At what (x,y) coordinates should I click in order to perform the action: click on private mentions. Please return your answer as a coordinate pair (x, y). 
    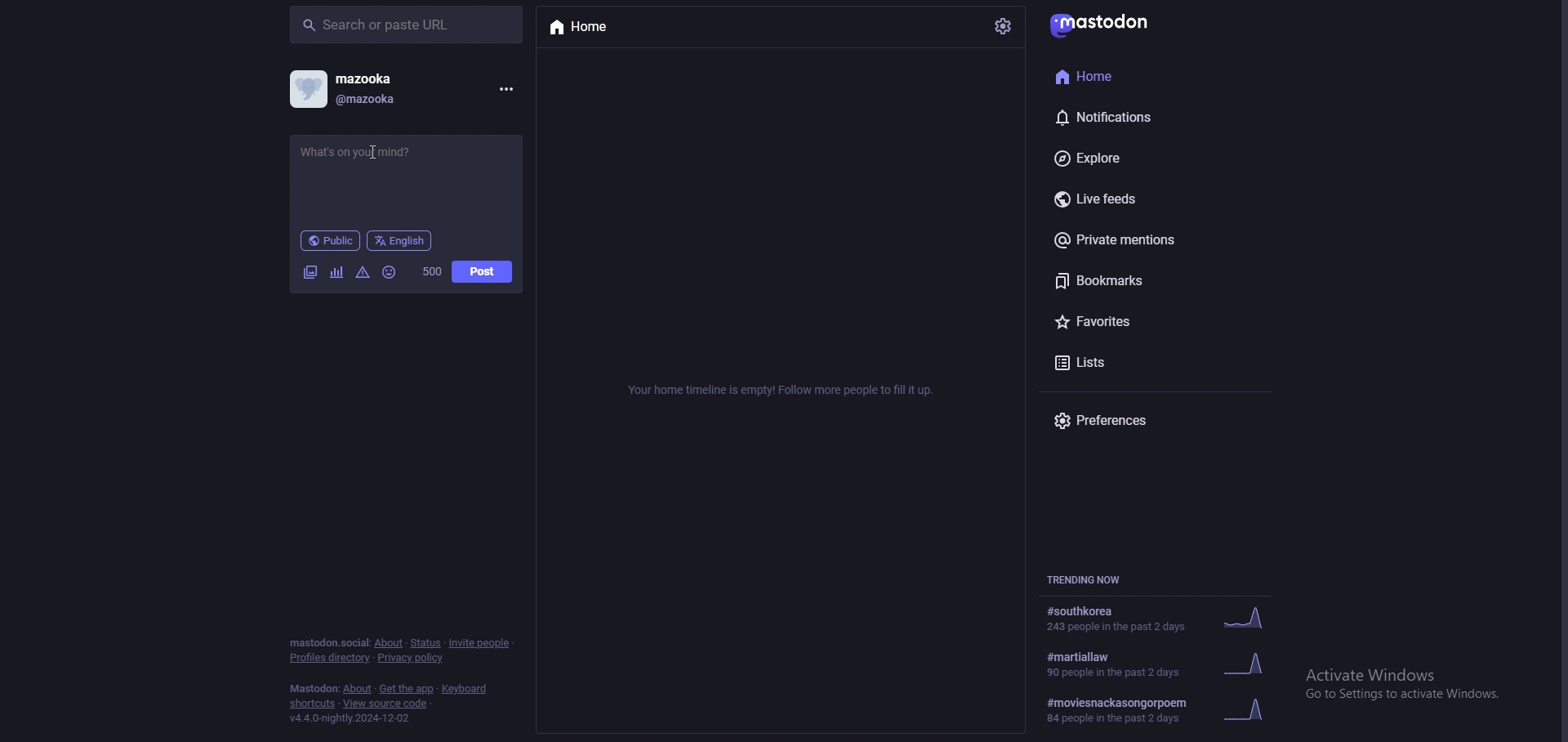
    Looking at the image, I should click on (1138, 240).